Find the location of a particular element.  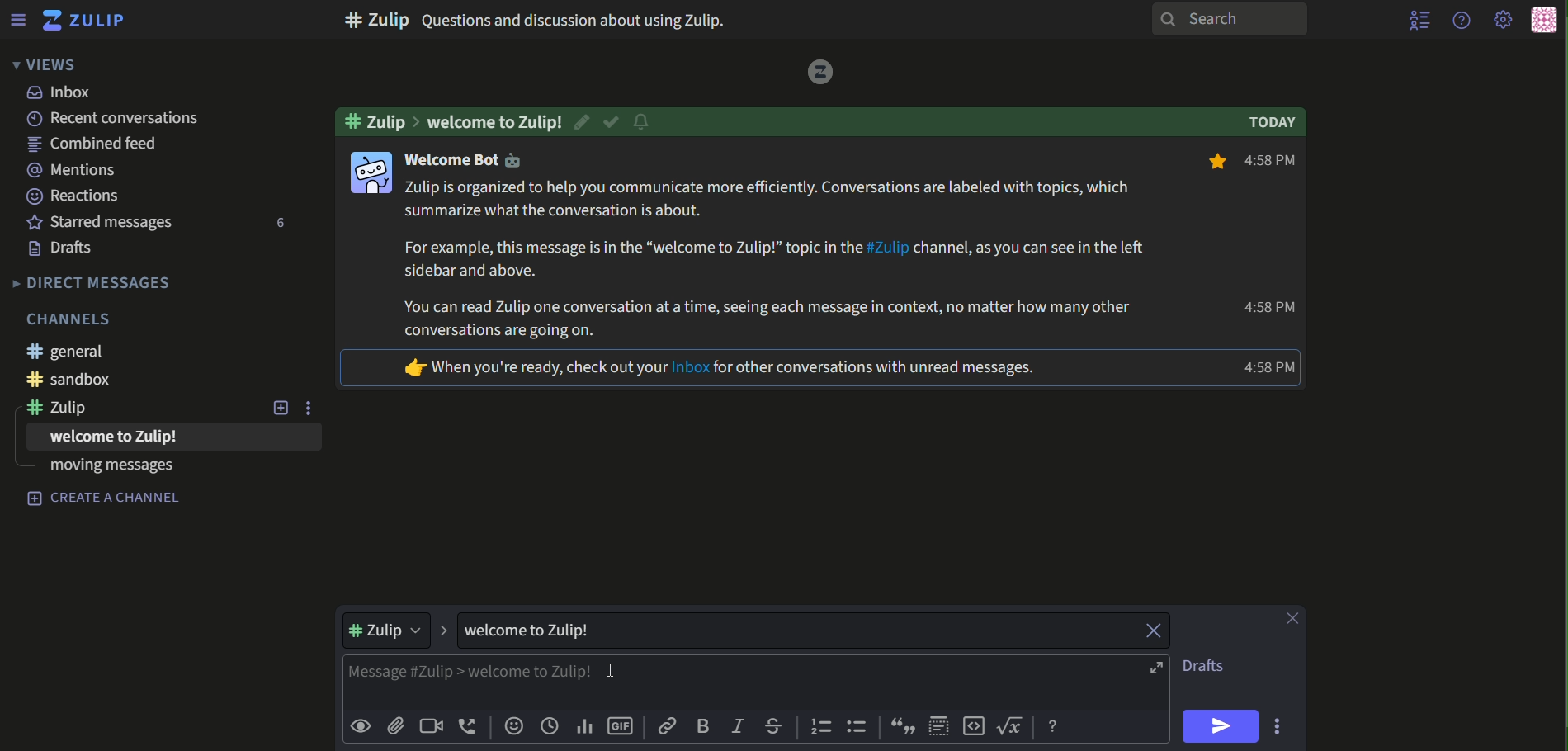

help menu is located at coordinates (1460, 19).